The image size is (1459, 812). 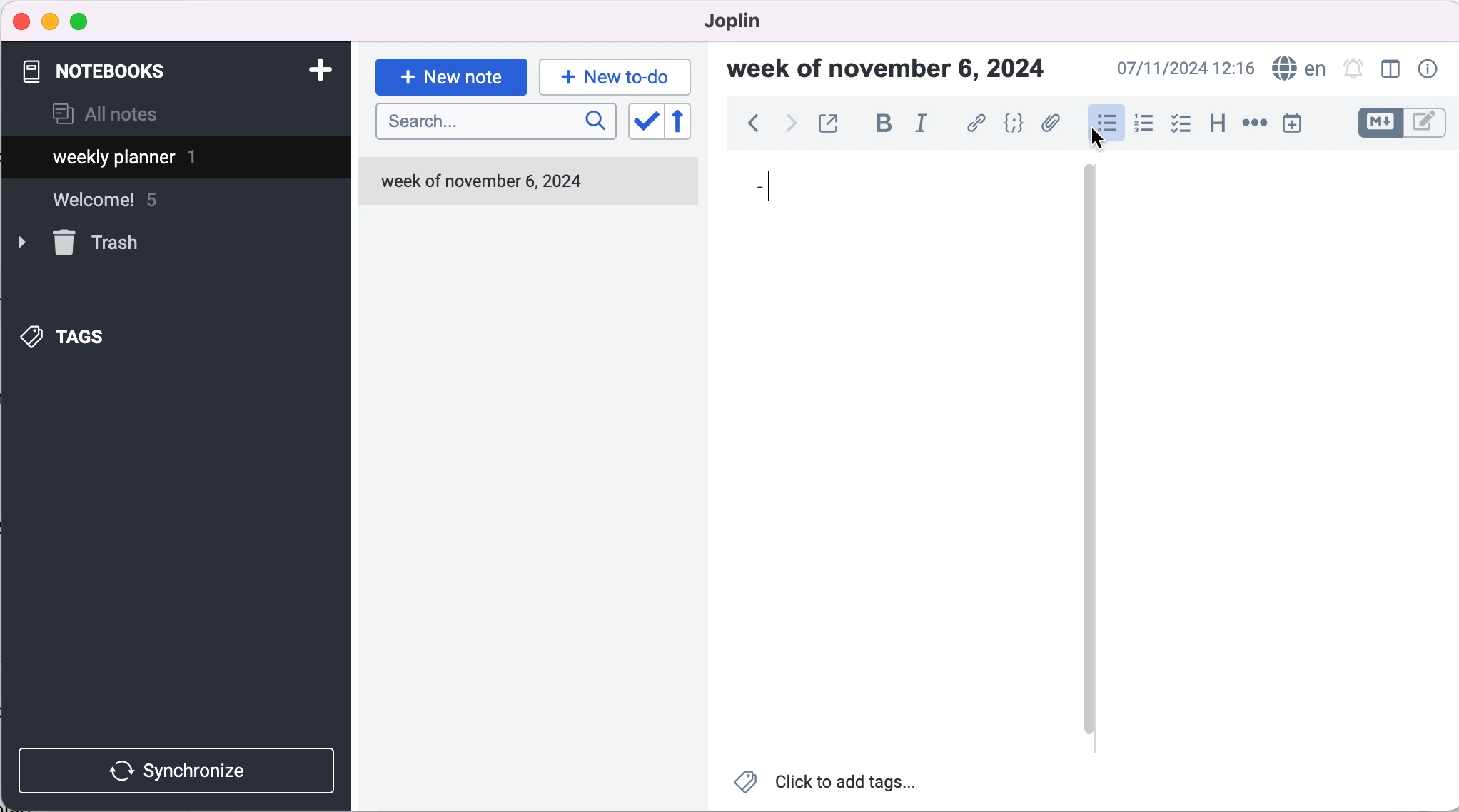 What do you see at coordinates (927, 123) in the screenshot?
I see `italic` at bounding box center [927, 123].